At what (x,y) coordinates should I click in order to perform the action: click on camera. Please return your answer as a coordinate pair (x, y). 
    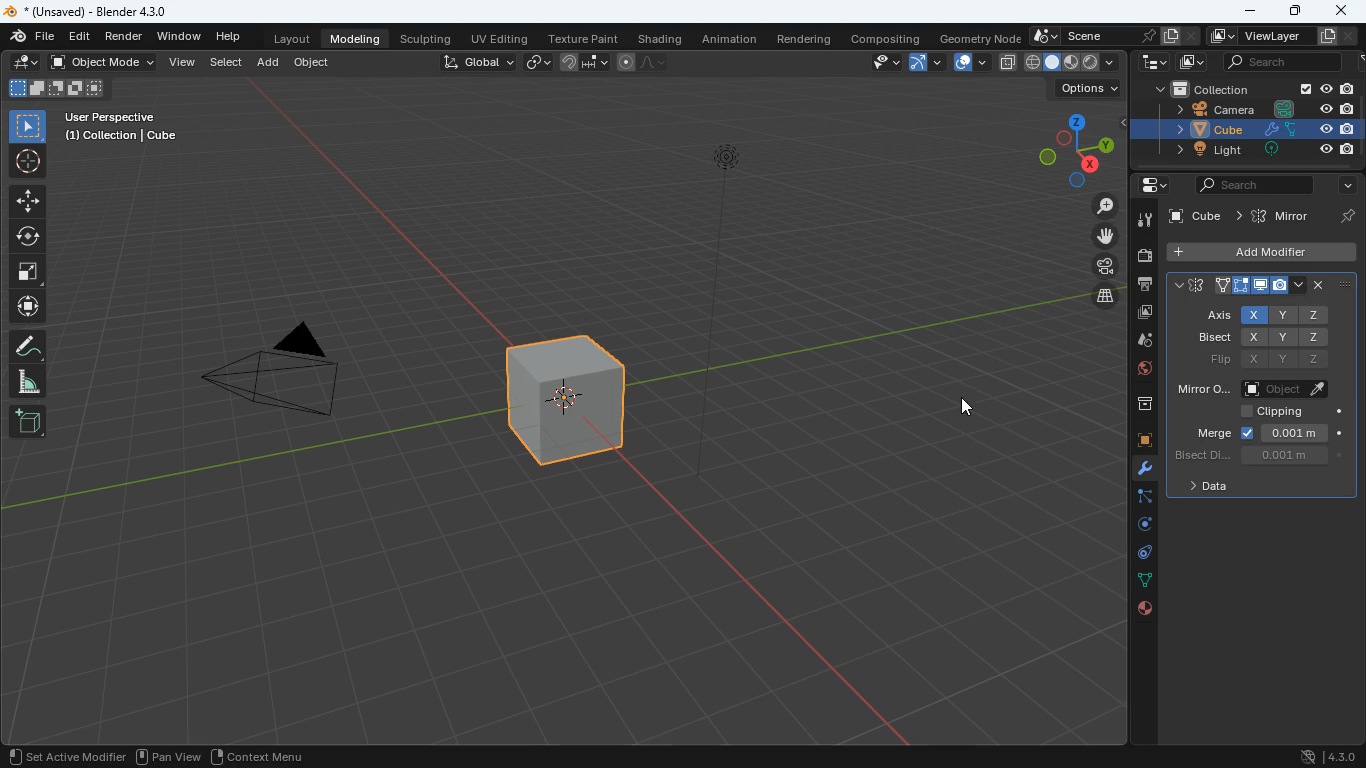
    Looking at the image, I should click on (1105, 266).